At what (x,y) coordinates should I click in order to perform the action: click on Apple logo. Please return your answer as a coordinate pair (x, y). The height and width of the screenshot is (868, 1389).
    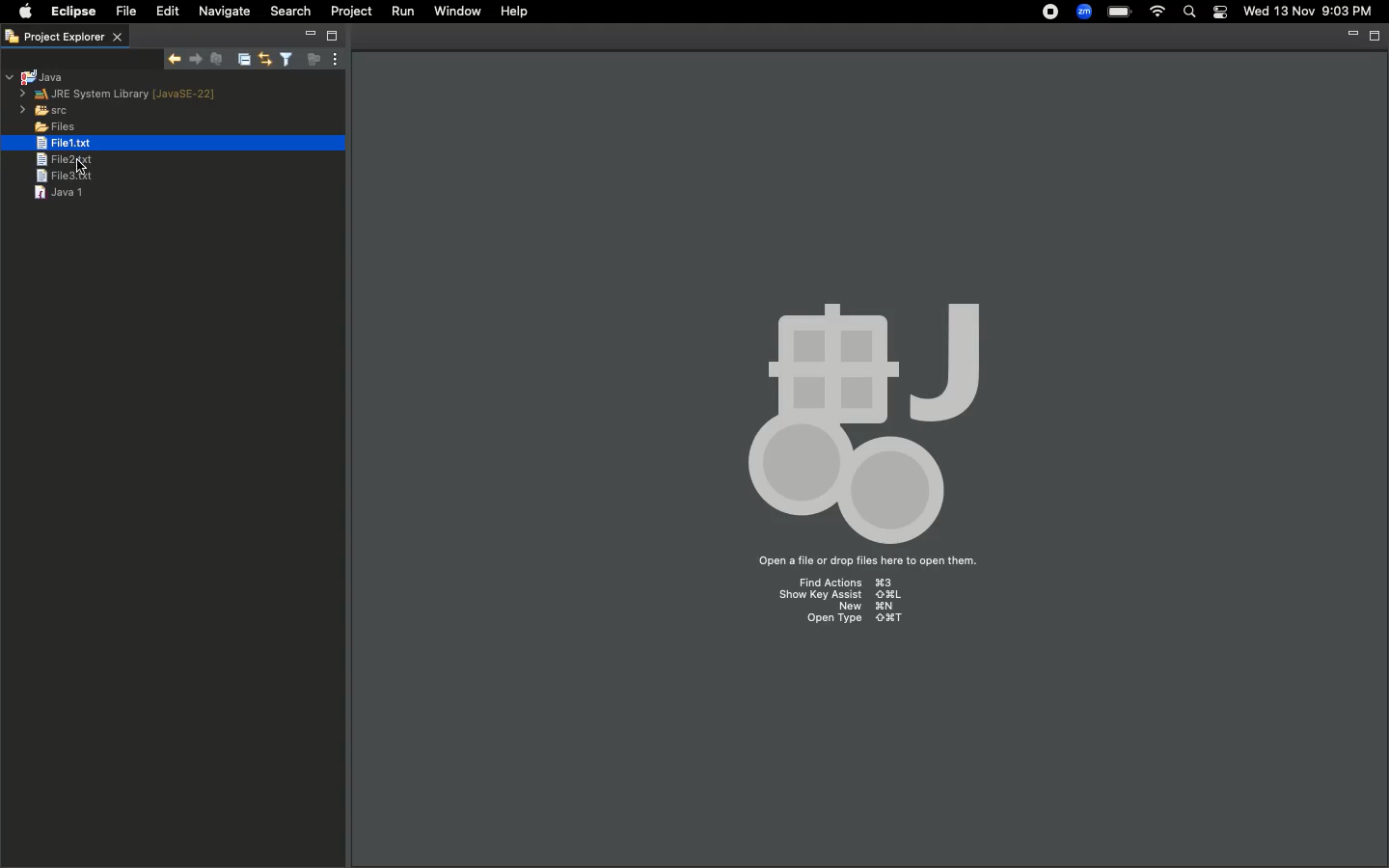
    Looking at the image, I should click on (21, 14).